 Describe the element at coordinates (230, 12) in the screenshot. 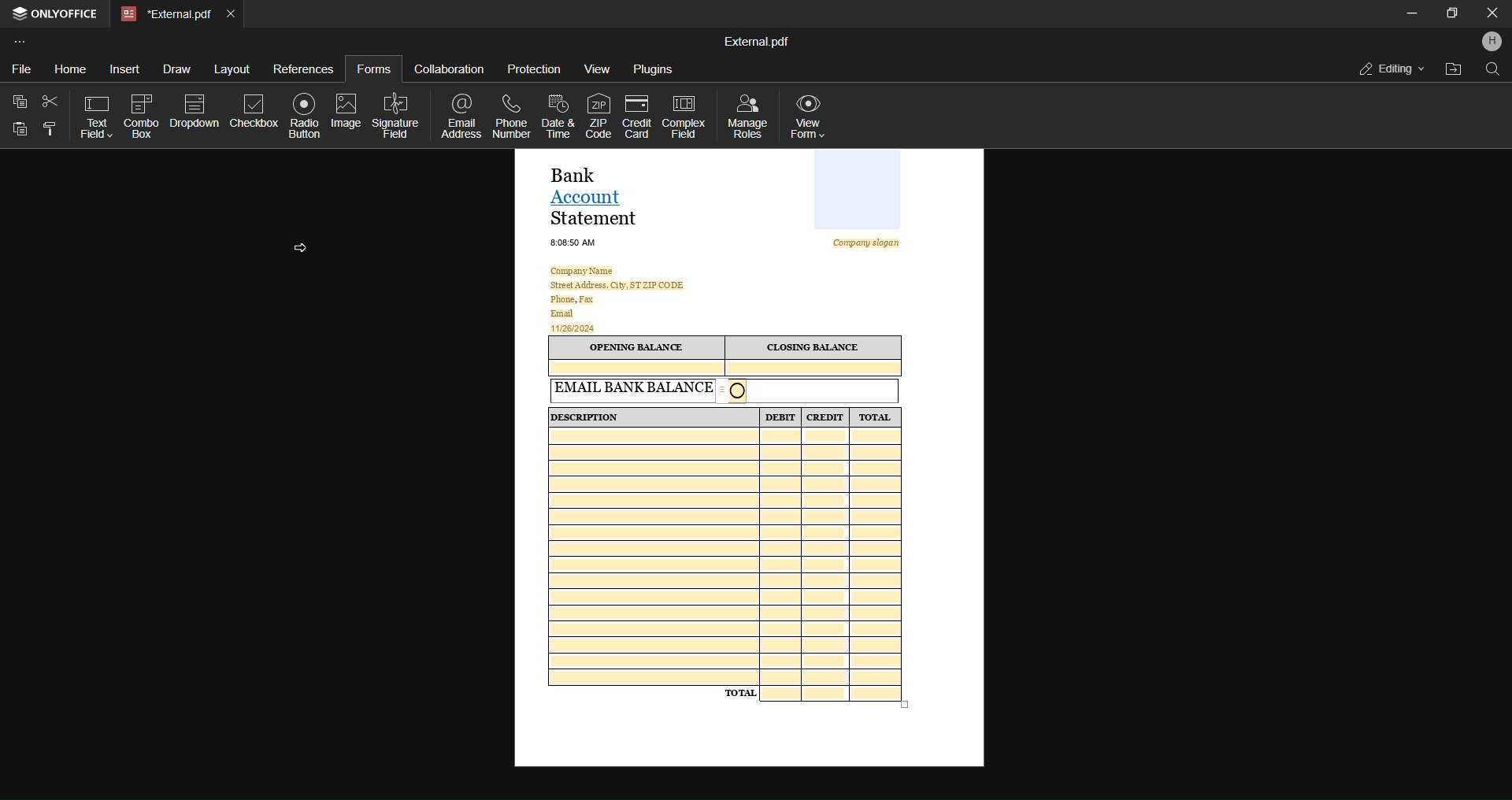

I see `close current tab` at that location.